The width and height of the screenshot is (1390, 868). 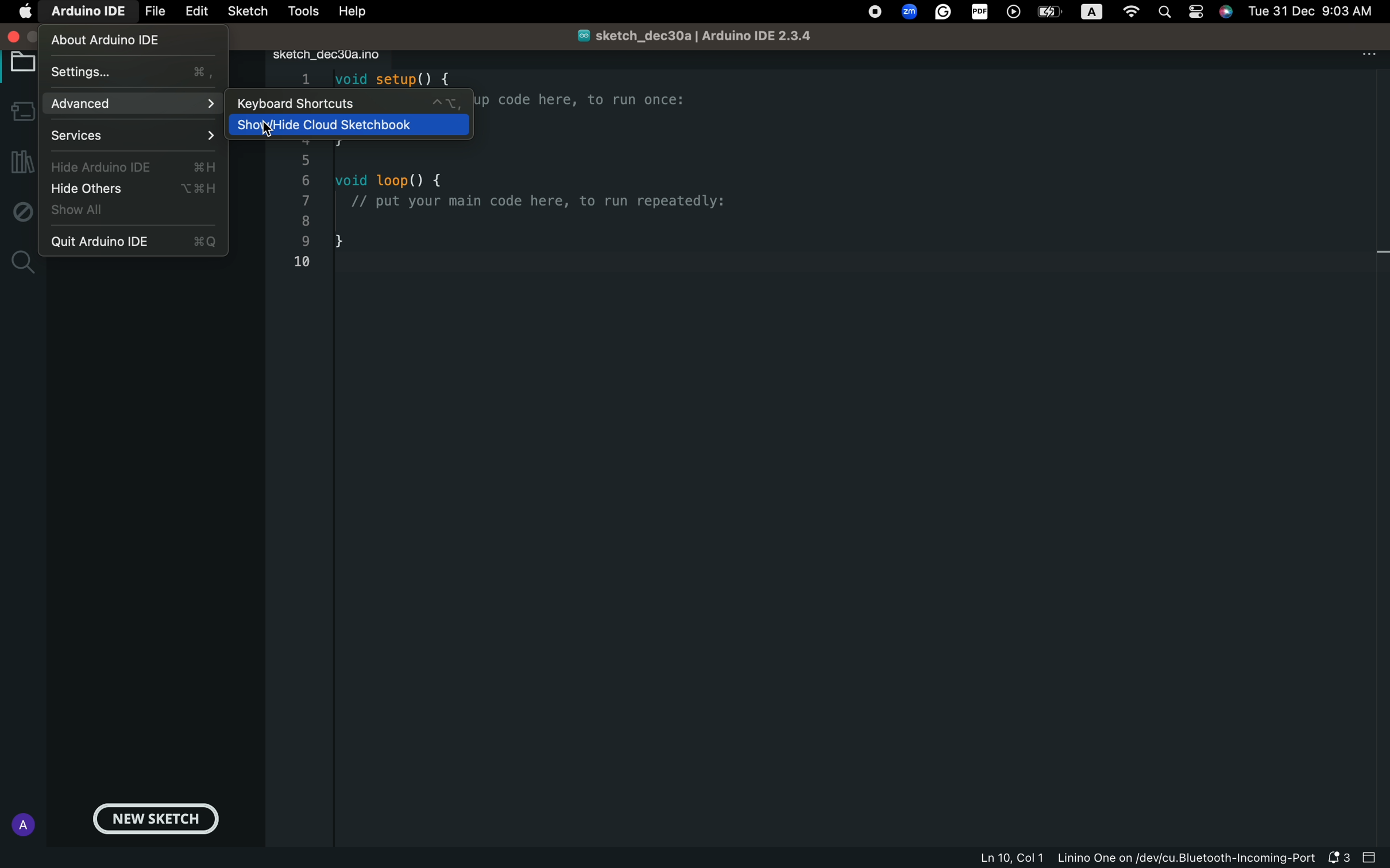 I want to click on board, so click(x=20, y=64).